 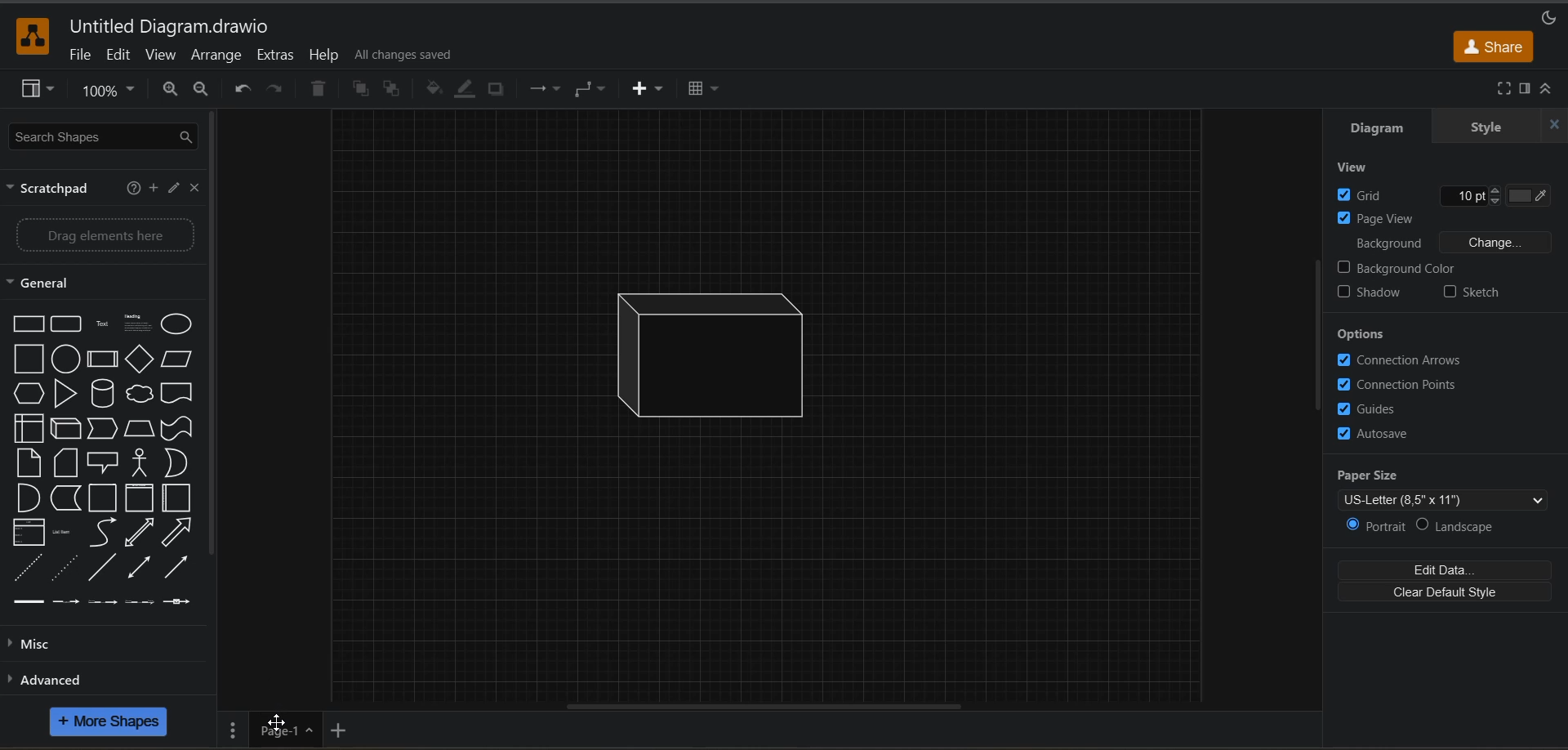 What do you see at coordinates (1363, 334) in the screenshot?
I see `options` at bounding box center [1363, 334].